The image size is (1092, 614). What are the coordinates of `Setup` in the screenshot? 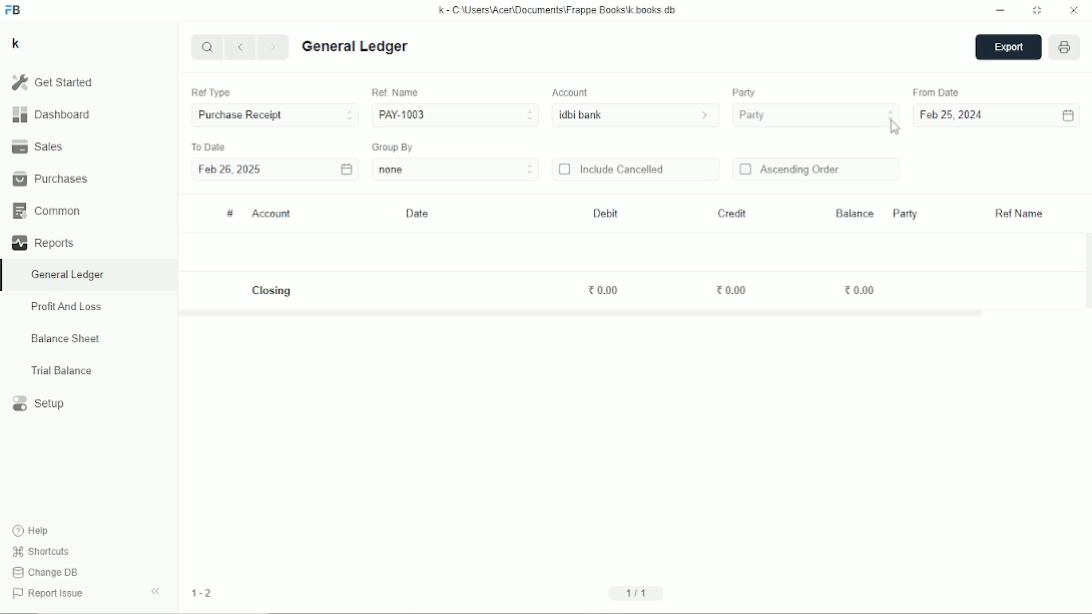 It's located at (40, 404).